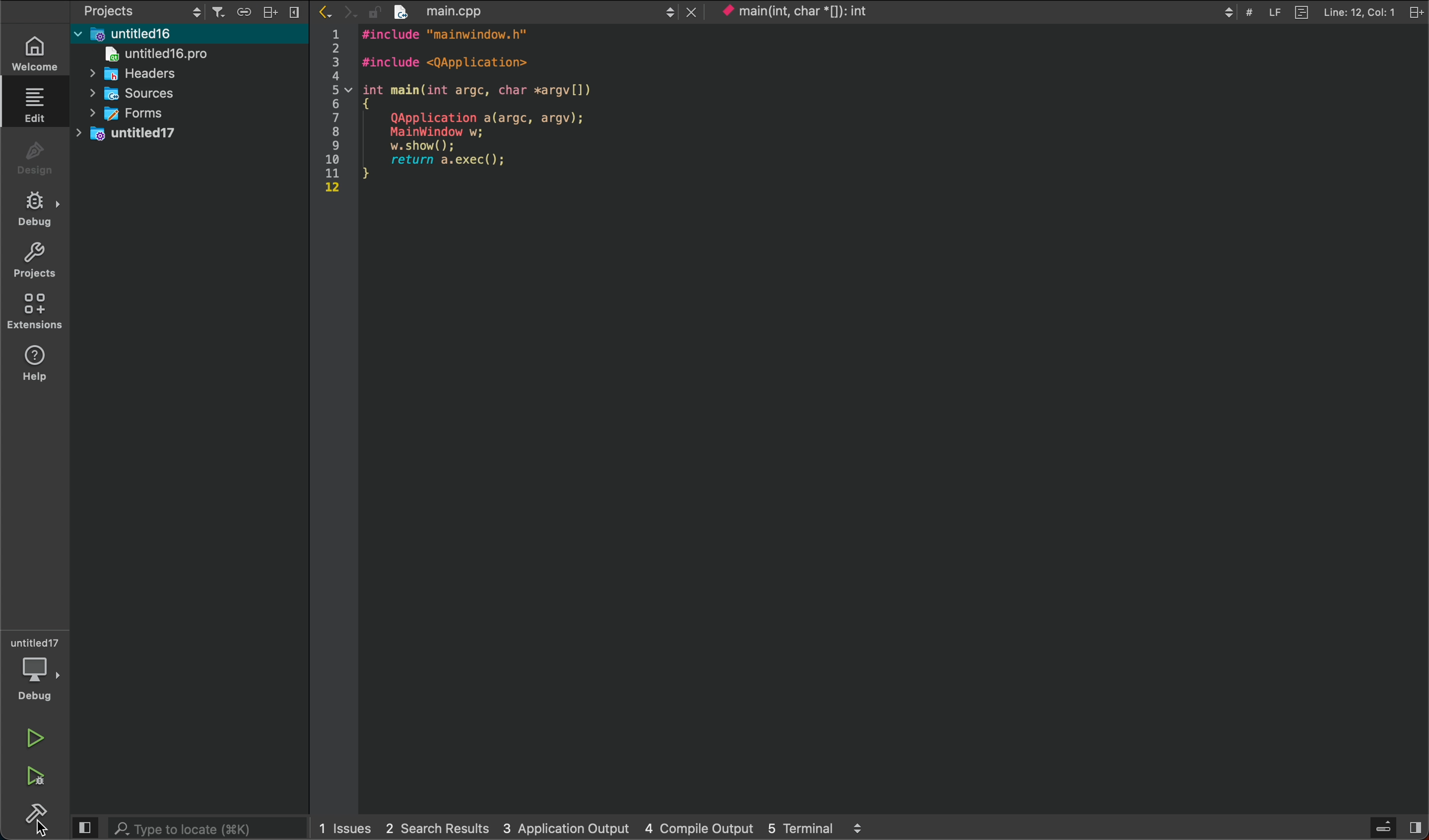 Image resolution: width=1429 pixels, height=840 pixels. Describe the element at coordinates (1277, 12) in the screenshot. I see `LF` at that location.